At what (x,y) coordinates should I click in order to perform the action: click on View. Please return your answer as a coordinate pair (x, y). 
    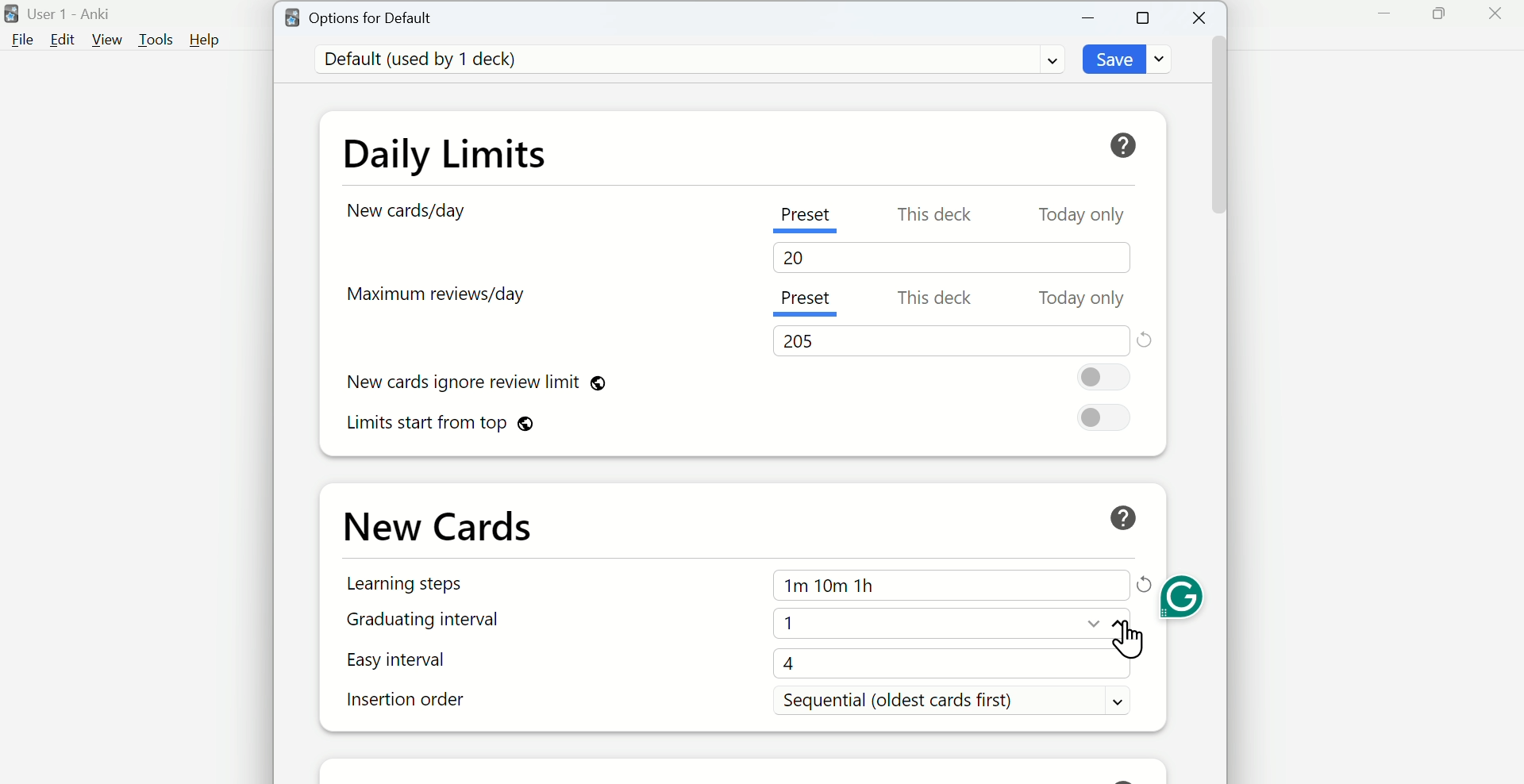
    Looking at the image, I should click on (109, 40).